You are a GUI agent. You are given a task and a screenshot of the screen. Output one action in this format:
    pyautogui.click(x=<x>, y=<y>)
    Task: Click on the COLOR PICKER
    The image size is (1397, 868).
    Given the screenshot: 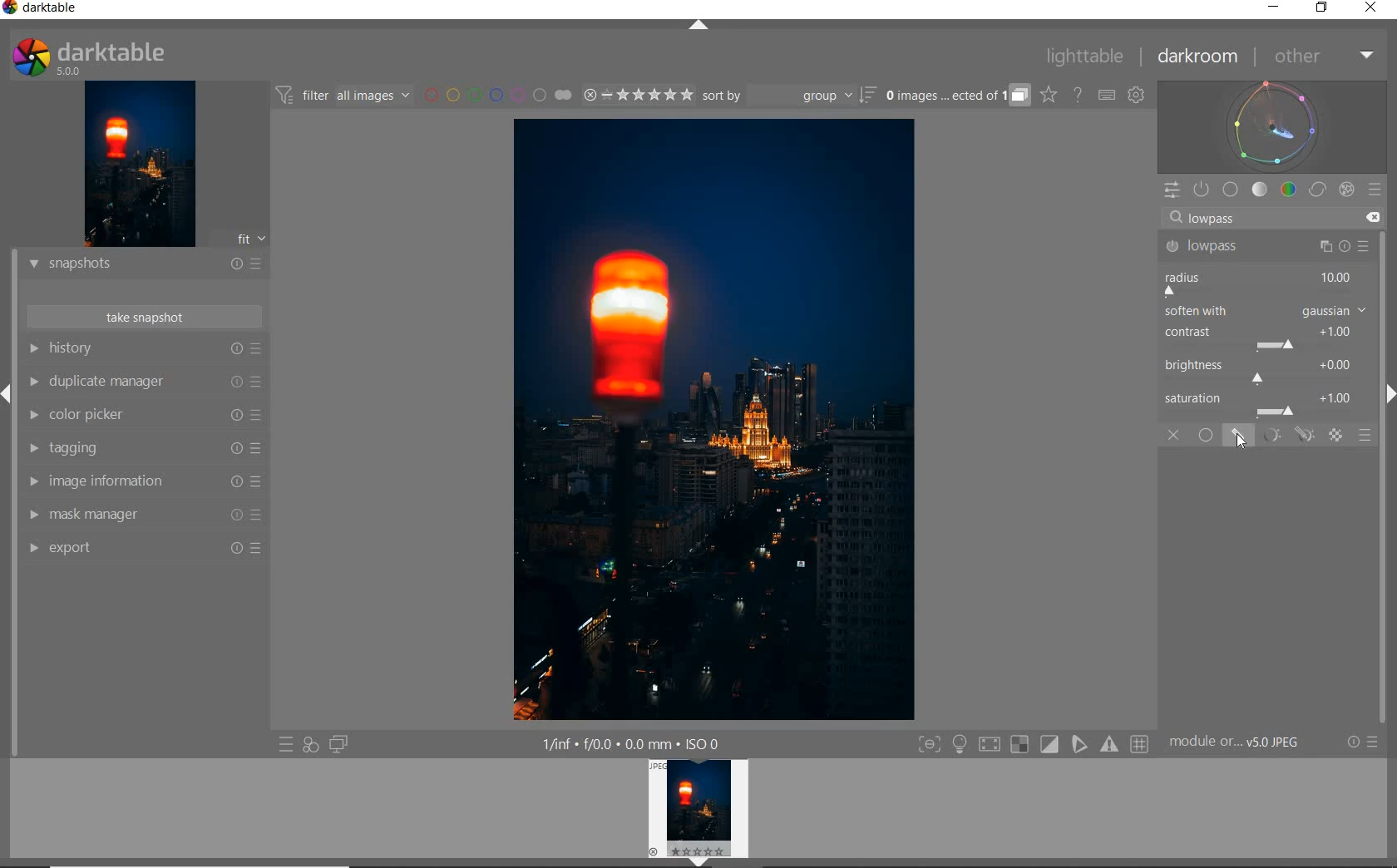 What is the action you would take?
    pyautogui.click(x=106, y=416)
    